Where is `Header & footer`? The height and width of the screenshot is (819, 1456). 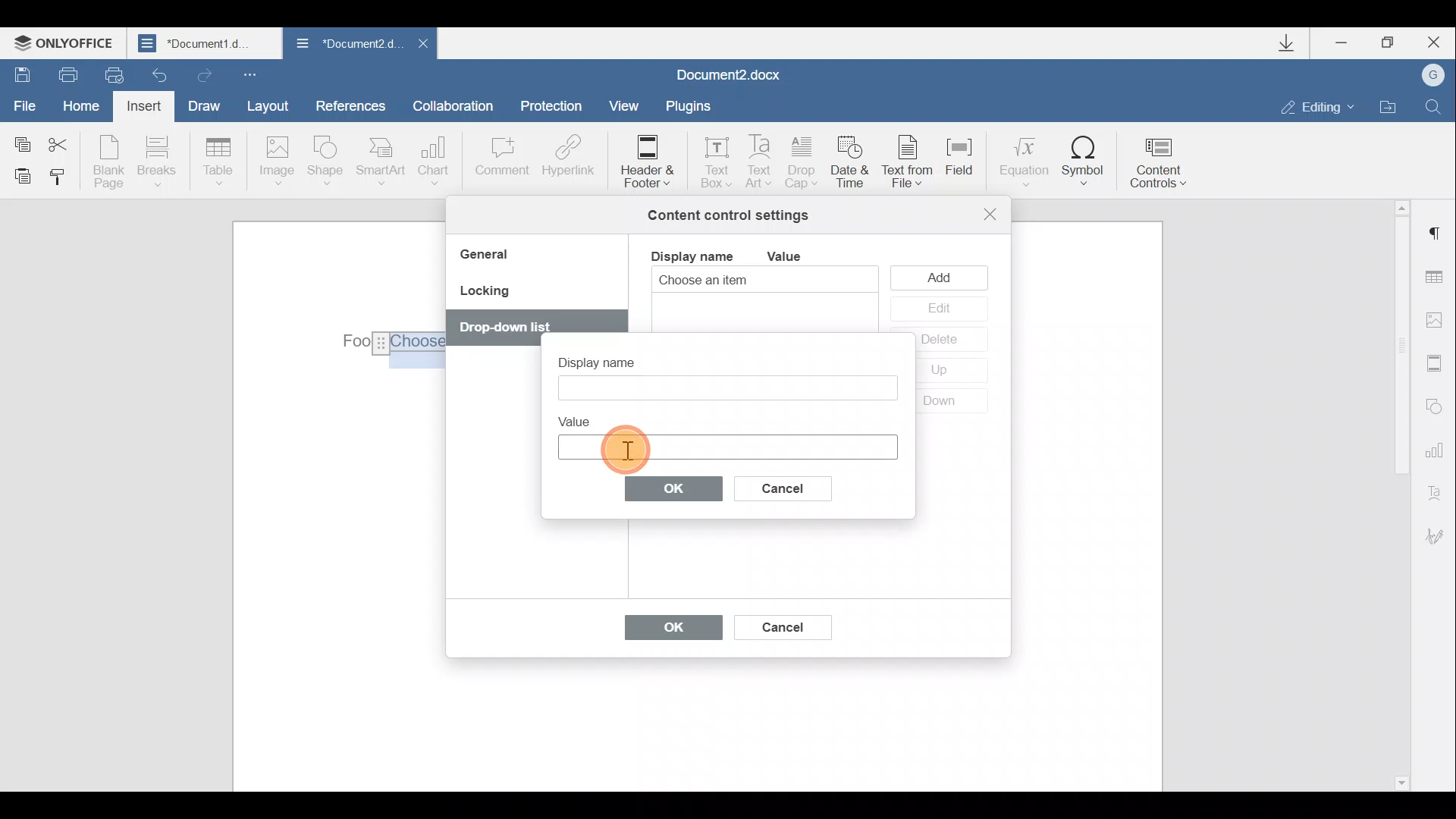
Header & footer is located at coordinates (646, 160).